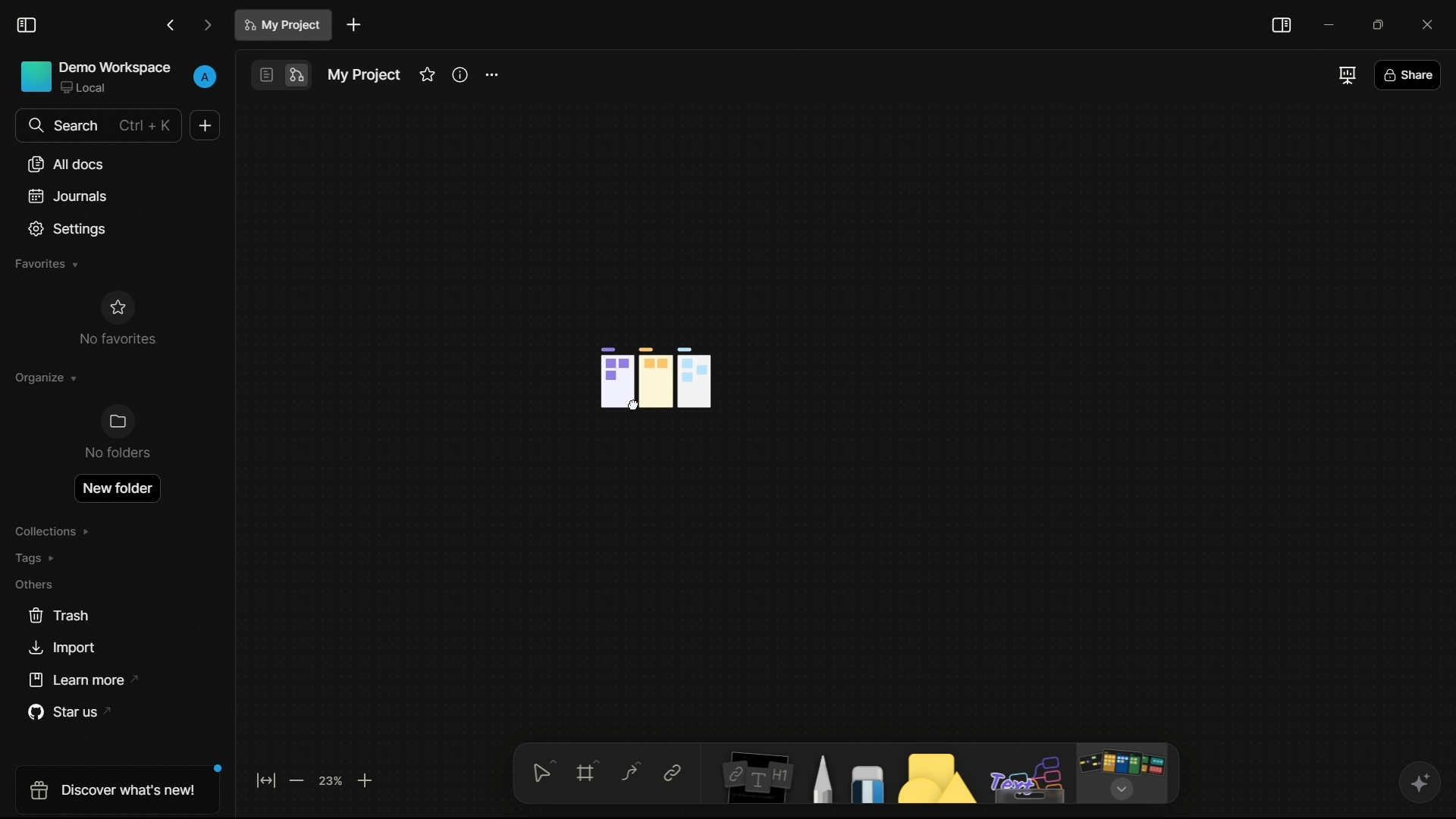  What do you see at coordinates (362, 75) in the screenshot?
I see `document name` at bounding box center [362, 75].